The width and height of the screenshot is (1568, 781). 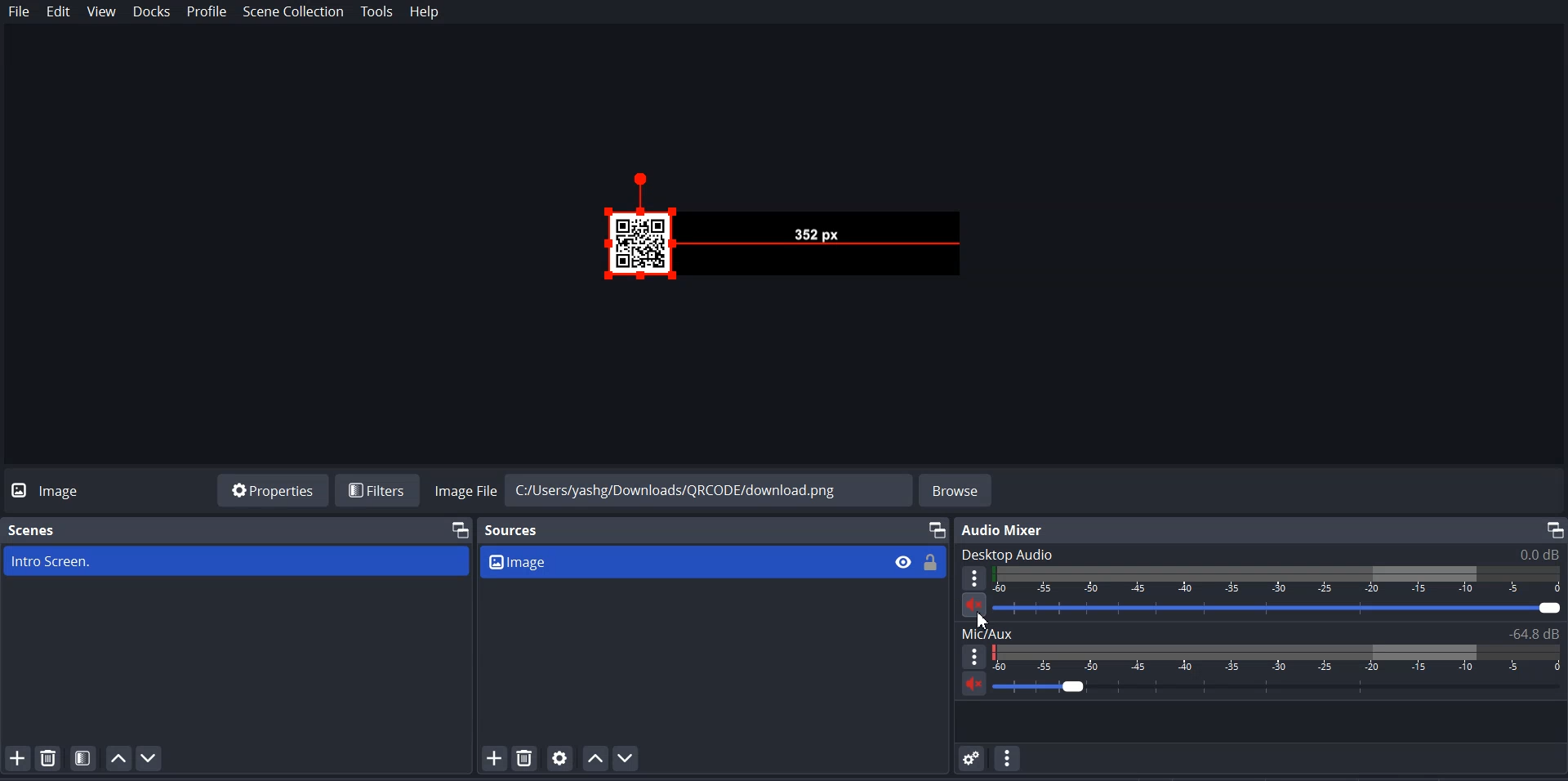 What do you see at coordinates (494, 758) in the screenshot?
I see `Add Source` at bounding box center [494, 758].